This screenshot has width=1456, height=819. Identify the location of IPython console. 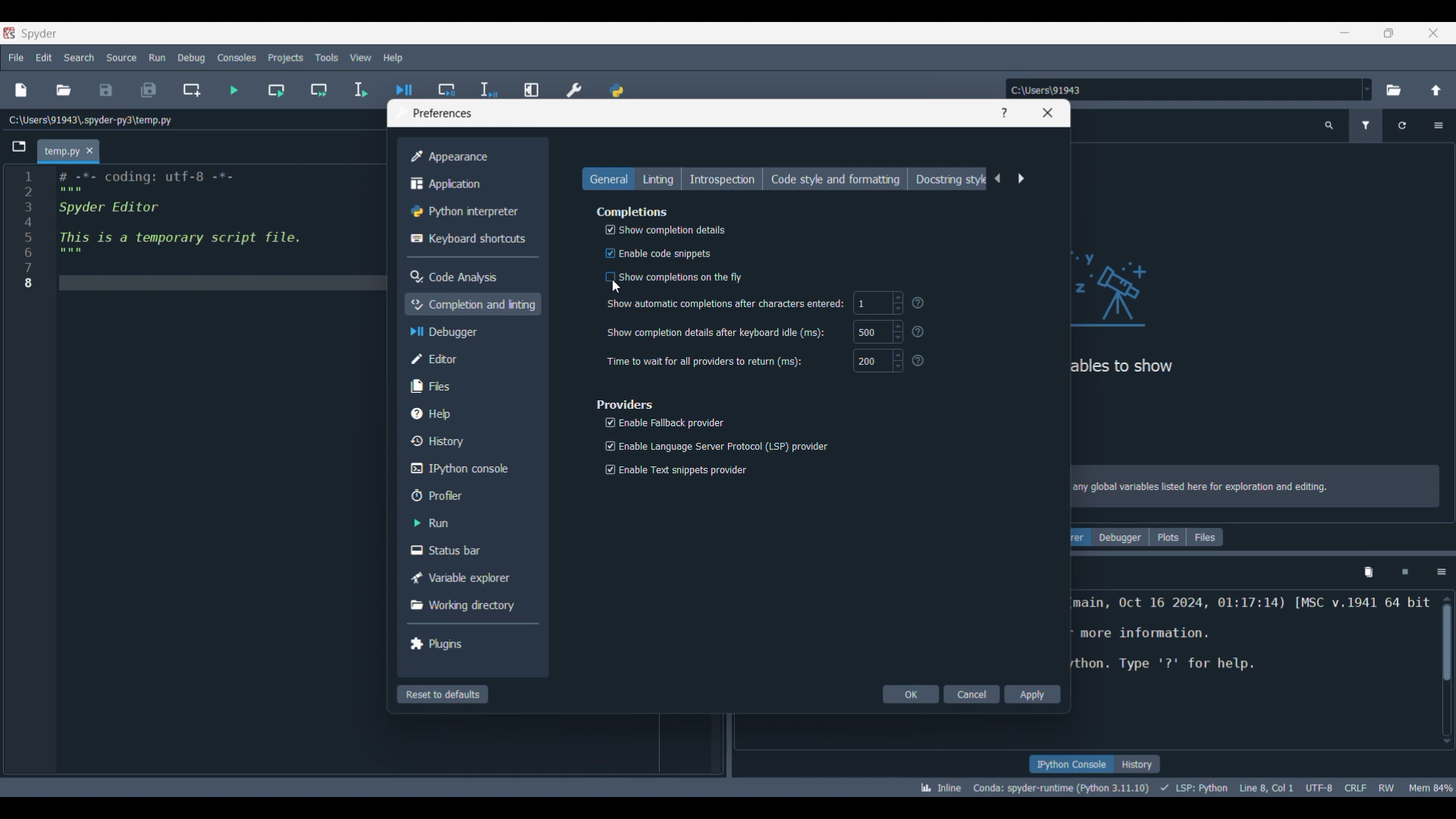
(1071, 764).